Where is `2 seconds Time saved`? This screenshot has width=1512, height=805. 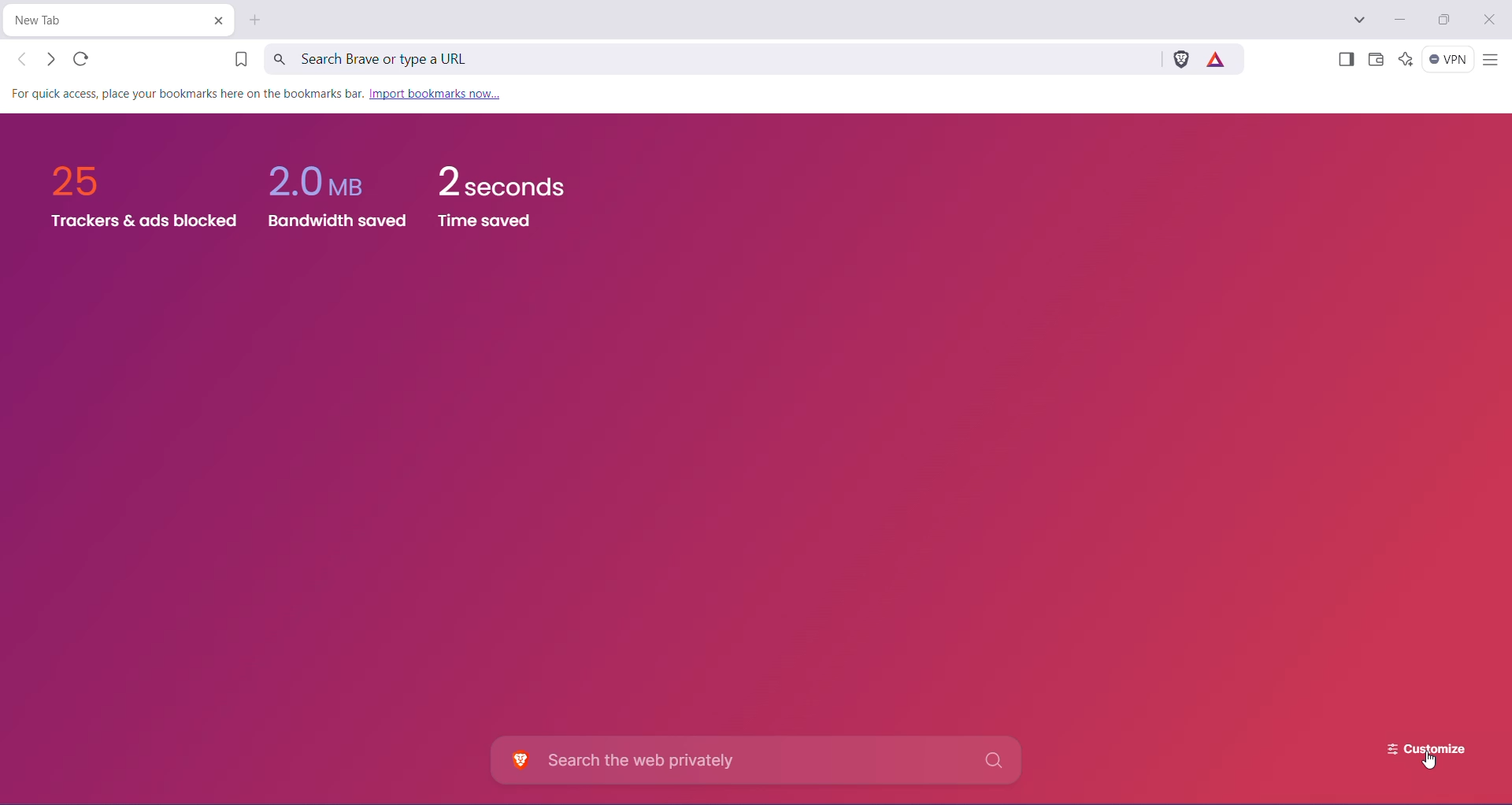
2 seconds Time saved is located at coordinates (512, 201).